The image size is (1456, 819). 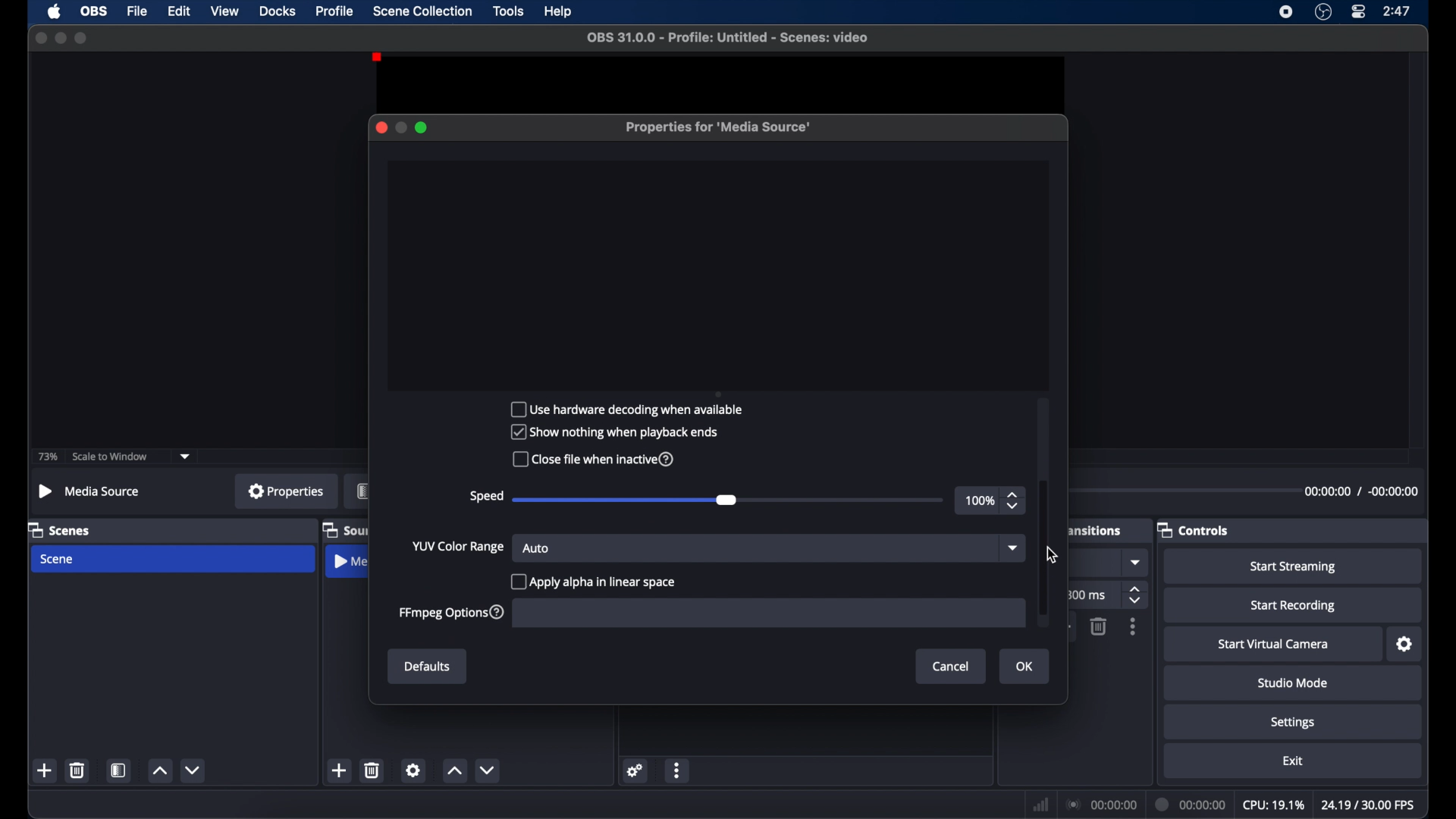 I want to click on tools, so click(x=510, y=11).